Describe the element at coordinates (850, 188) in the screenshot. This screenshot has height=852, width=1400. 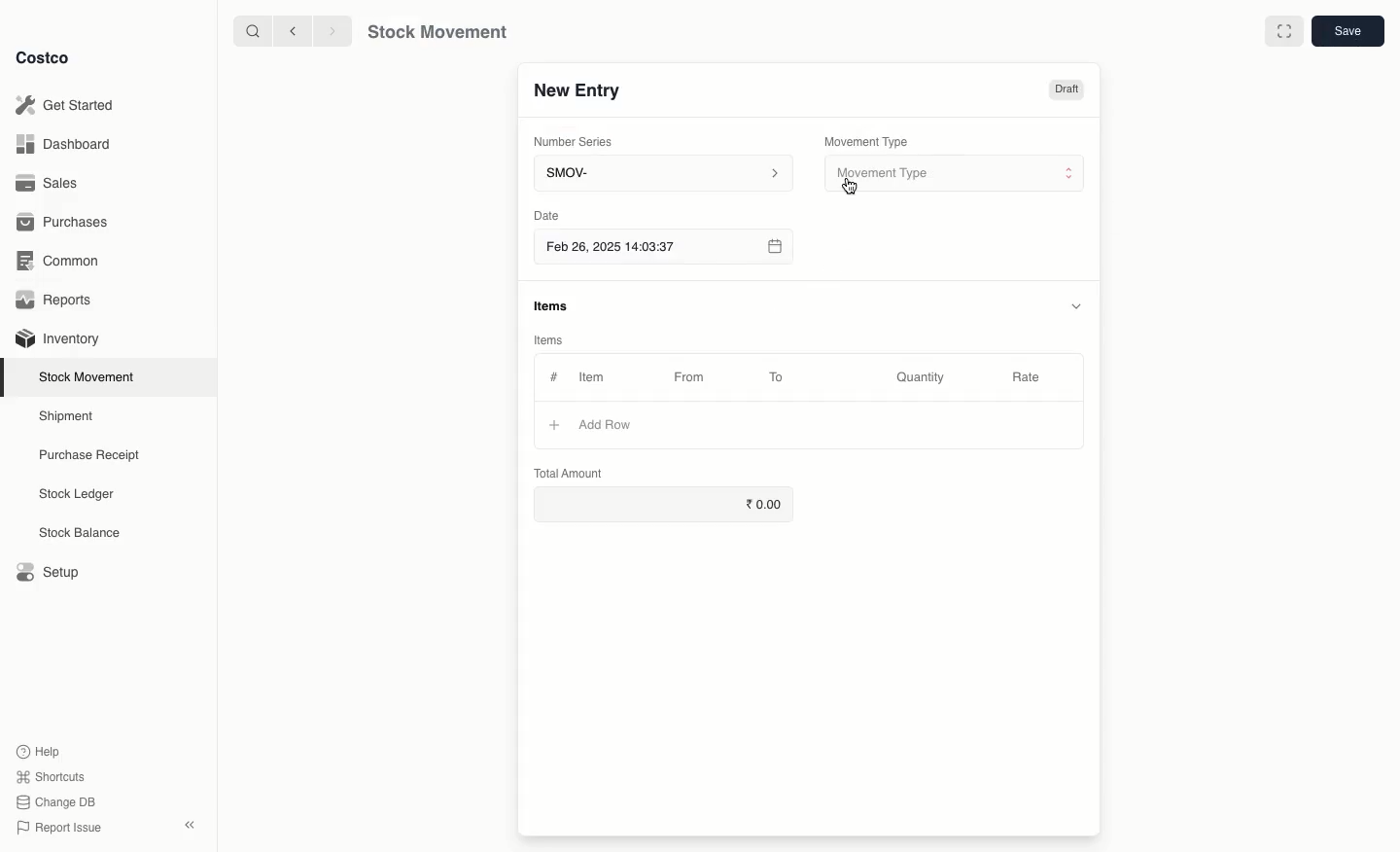
I see `cursor` at that location.